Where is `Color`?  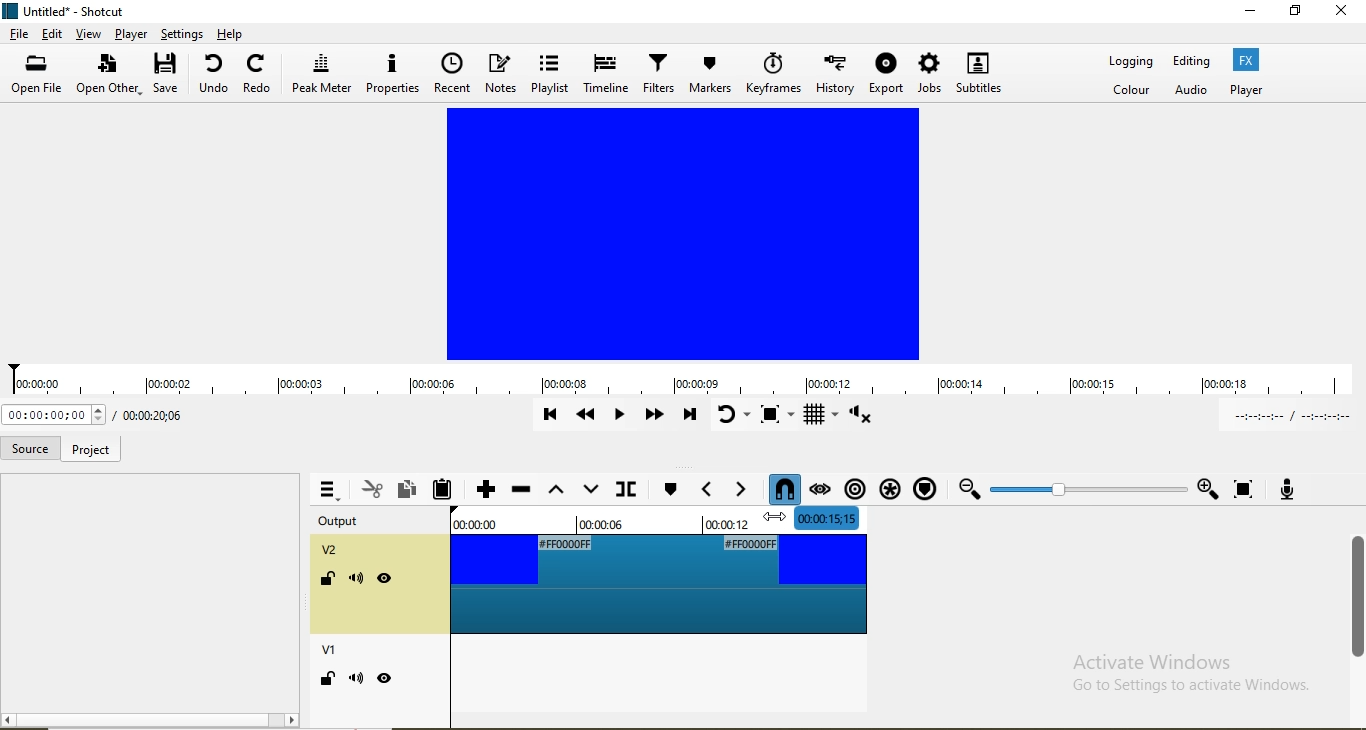 Color is located at coordinates (1133, 91).